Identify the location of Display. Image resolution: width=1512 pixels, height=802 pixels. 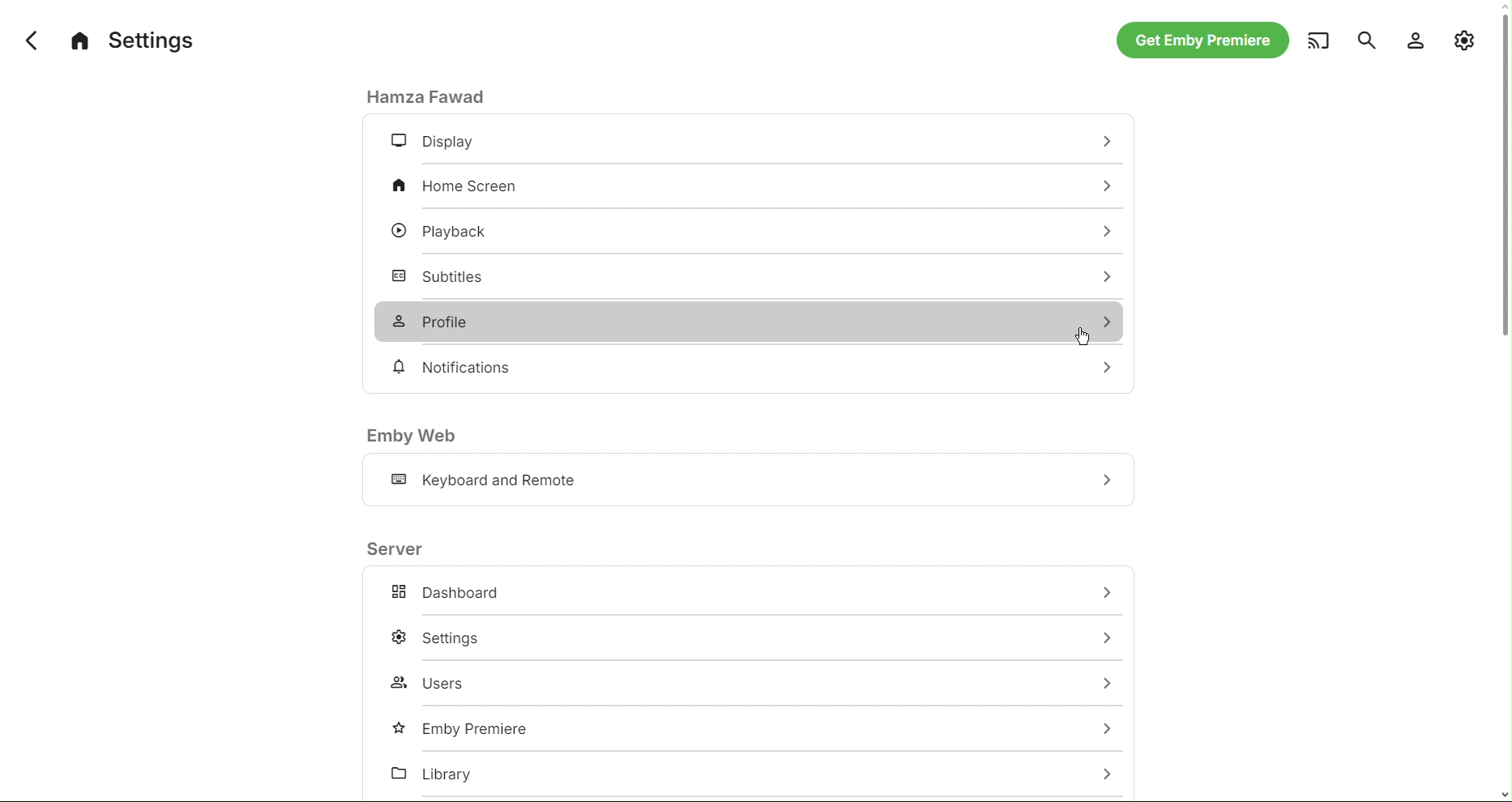
(434, 143).